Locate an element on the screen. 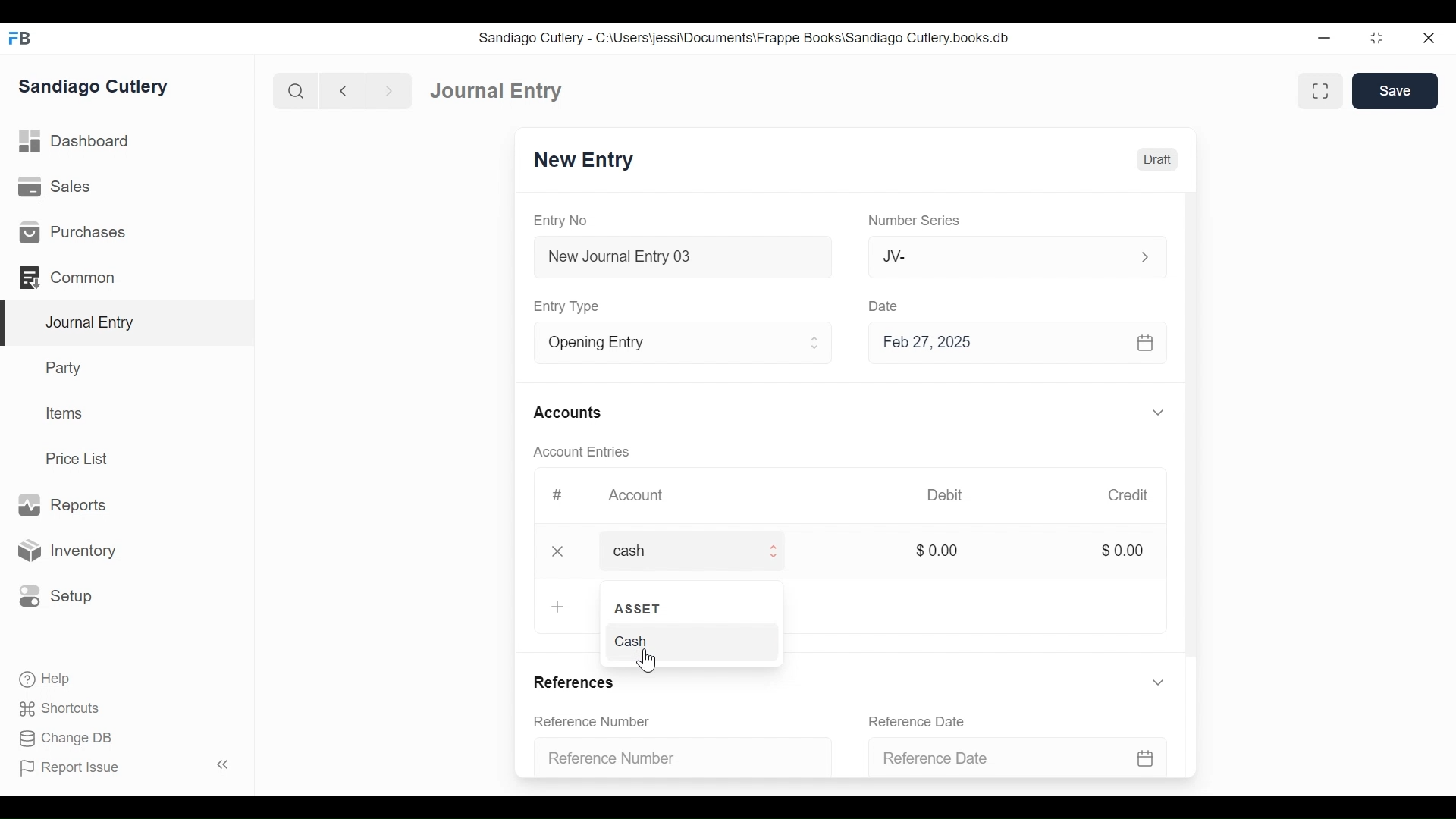 The height and width of the screenshot is (819, 1456). Save is located at coordinates (1397, 91).